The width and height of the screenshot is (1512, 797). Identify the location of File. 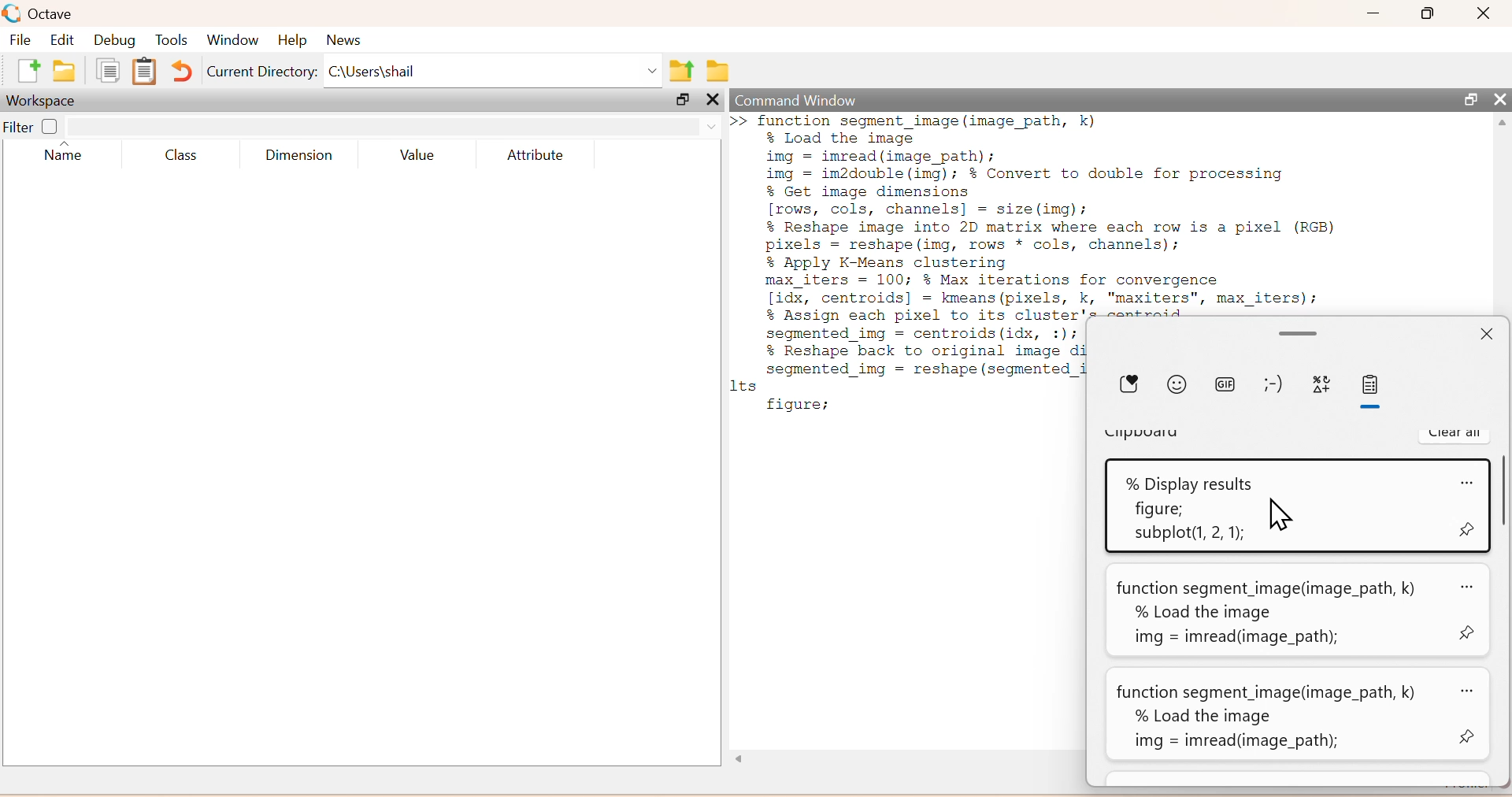
(23, 40).